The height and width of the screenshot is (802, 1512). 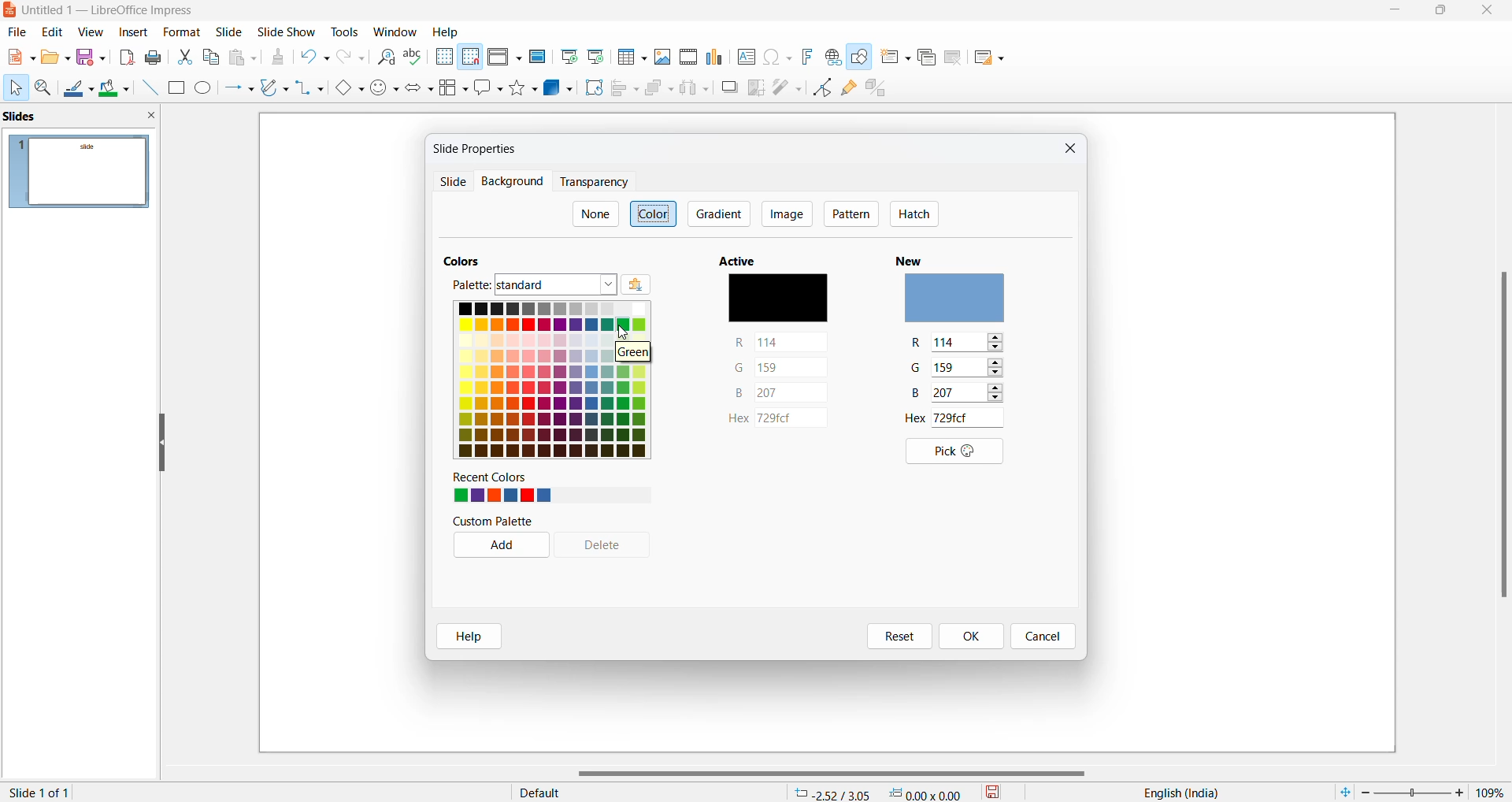 What do you see at coordinates (287, 33) in the screenshot?
I see `slide show` at bounding box center [287, 33].